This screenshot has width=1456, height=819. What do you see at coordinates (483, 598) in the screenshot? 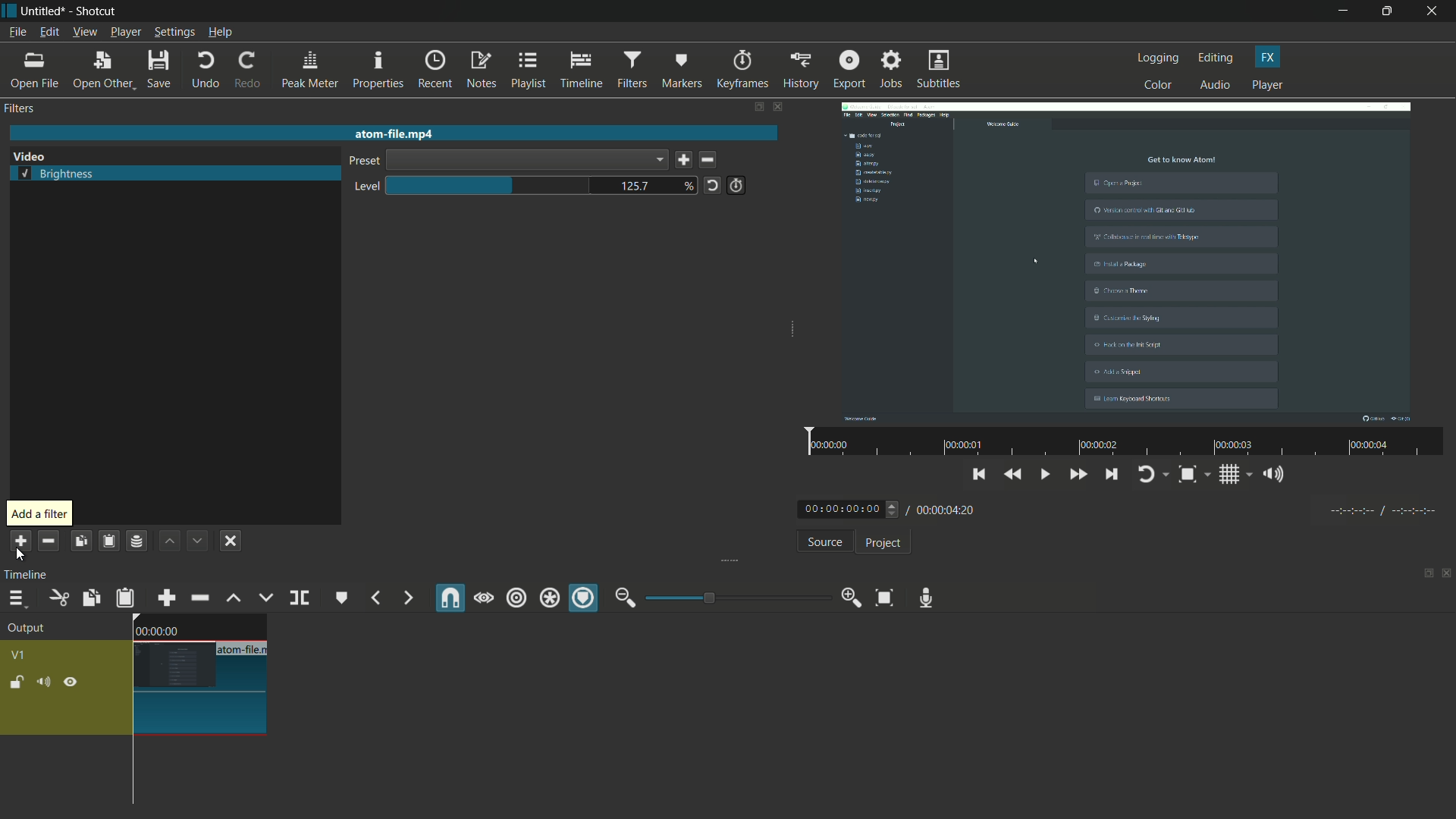
I see `scrub while dragging` at bounding box center [483, 598].